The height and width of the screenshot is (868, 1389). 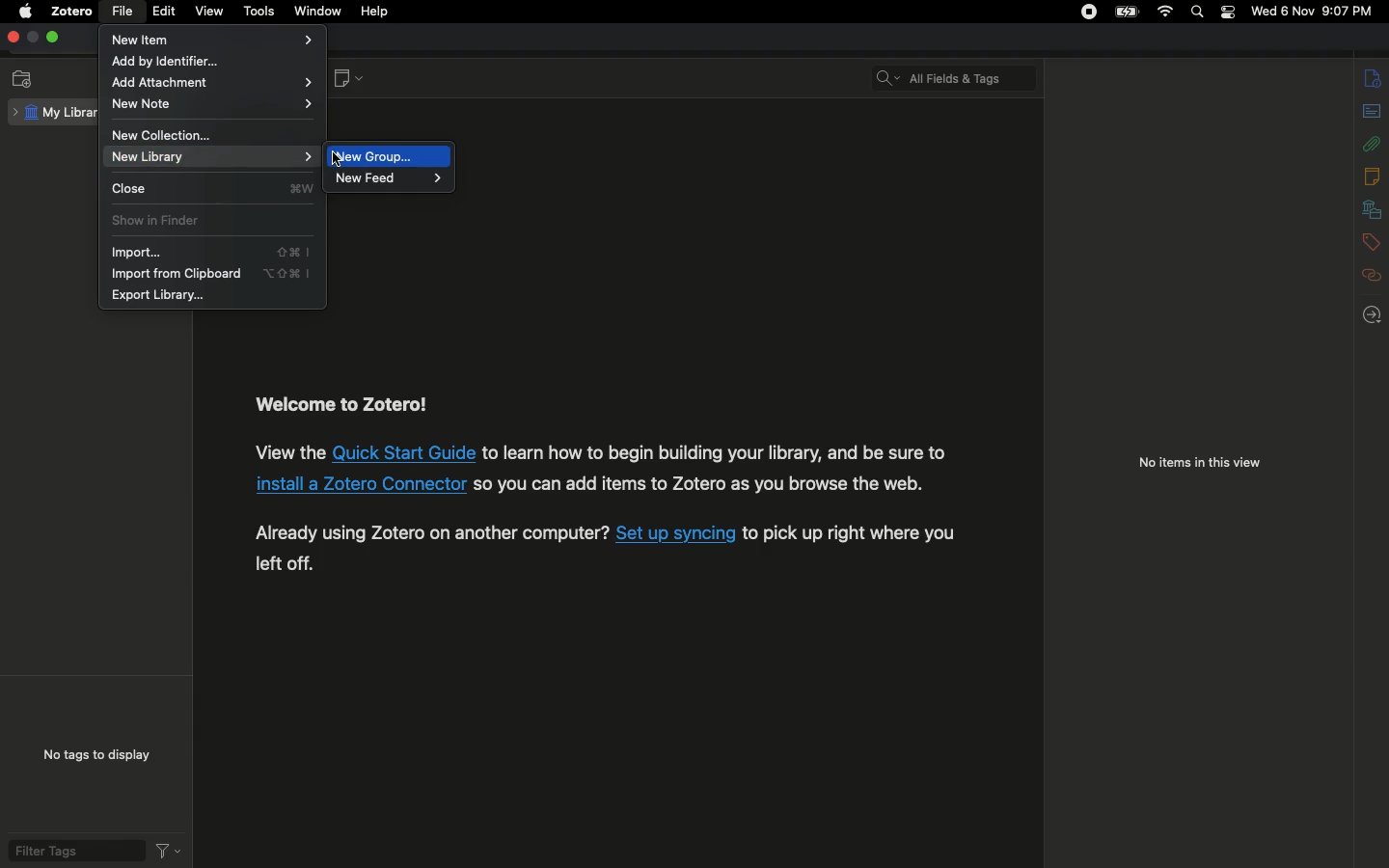 I want to click on Welcome to Zotero!, so click(x=343, y=405).